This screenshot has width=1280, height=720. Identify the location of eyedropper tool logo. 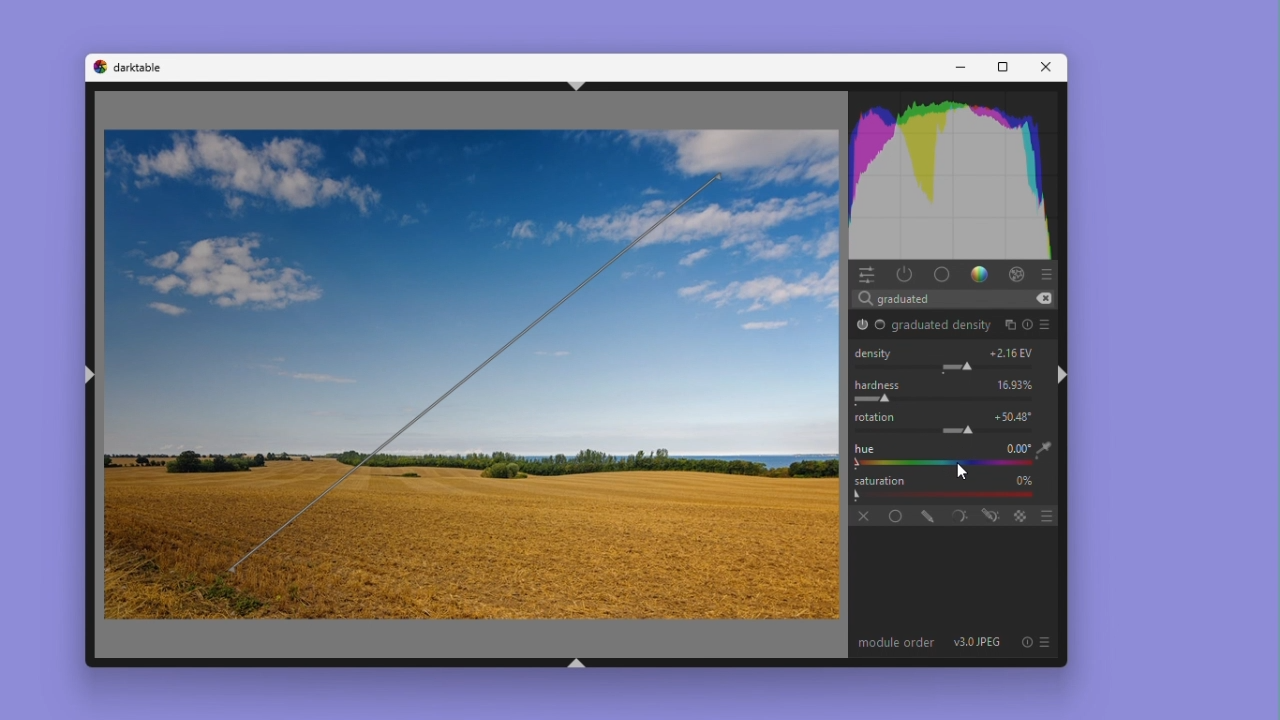
(1045, 449).